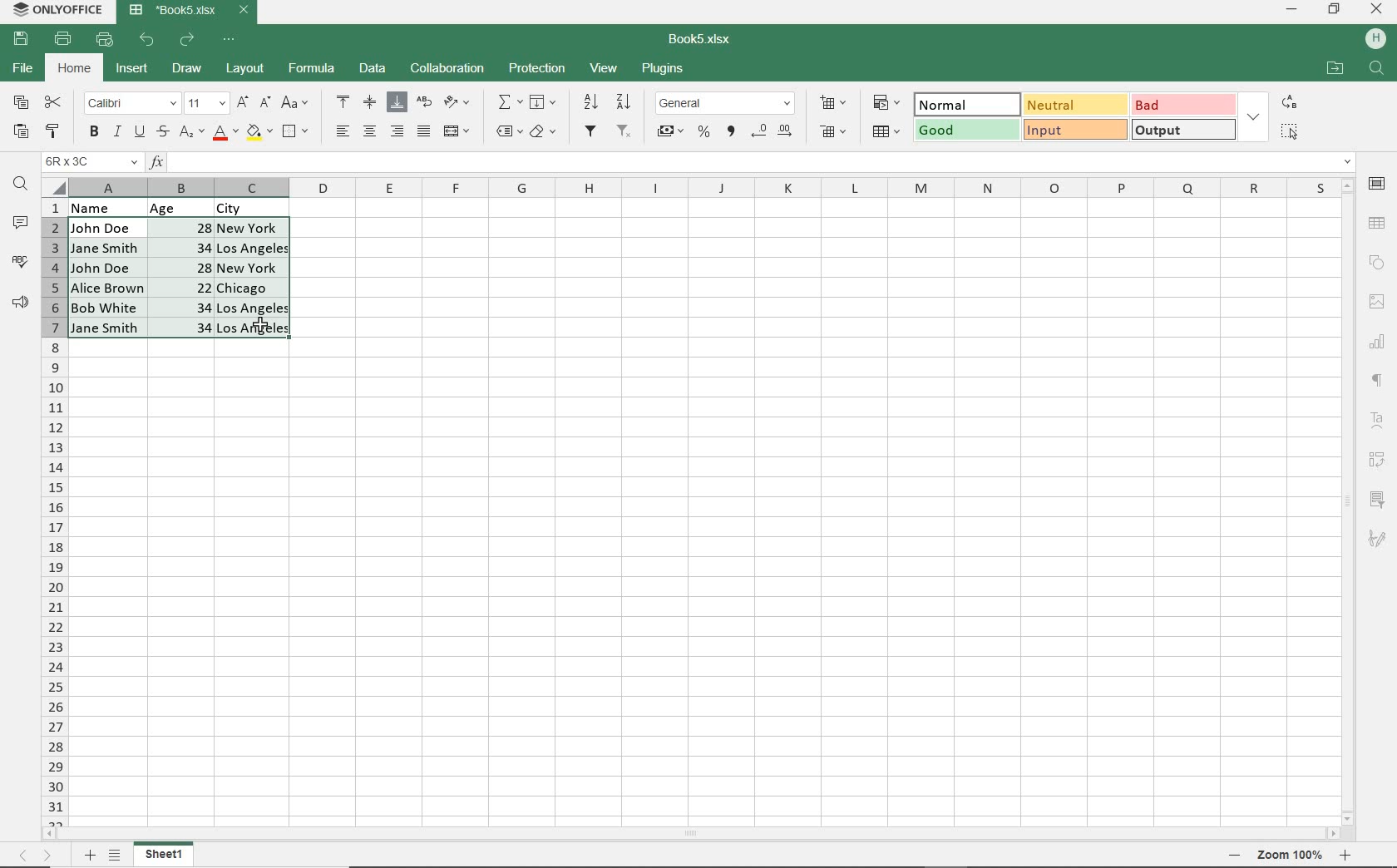  What do you see at coordinates (1350, 501) in the screenshot?
I see `SCROLLBAR` at bounding box center [1350, 501].